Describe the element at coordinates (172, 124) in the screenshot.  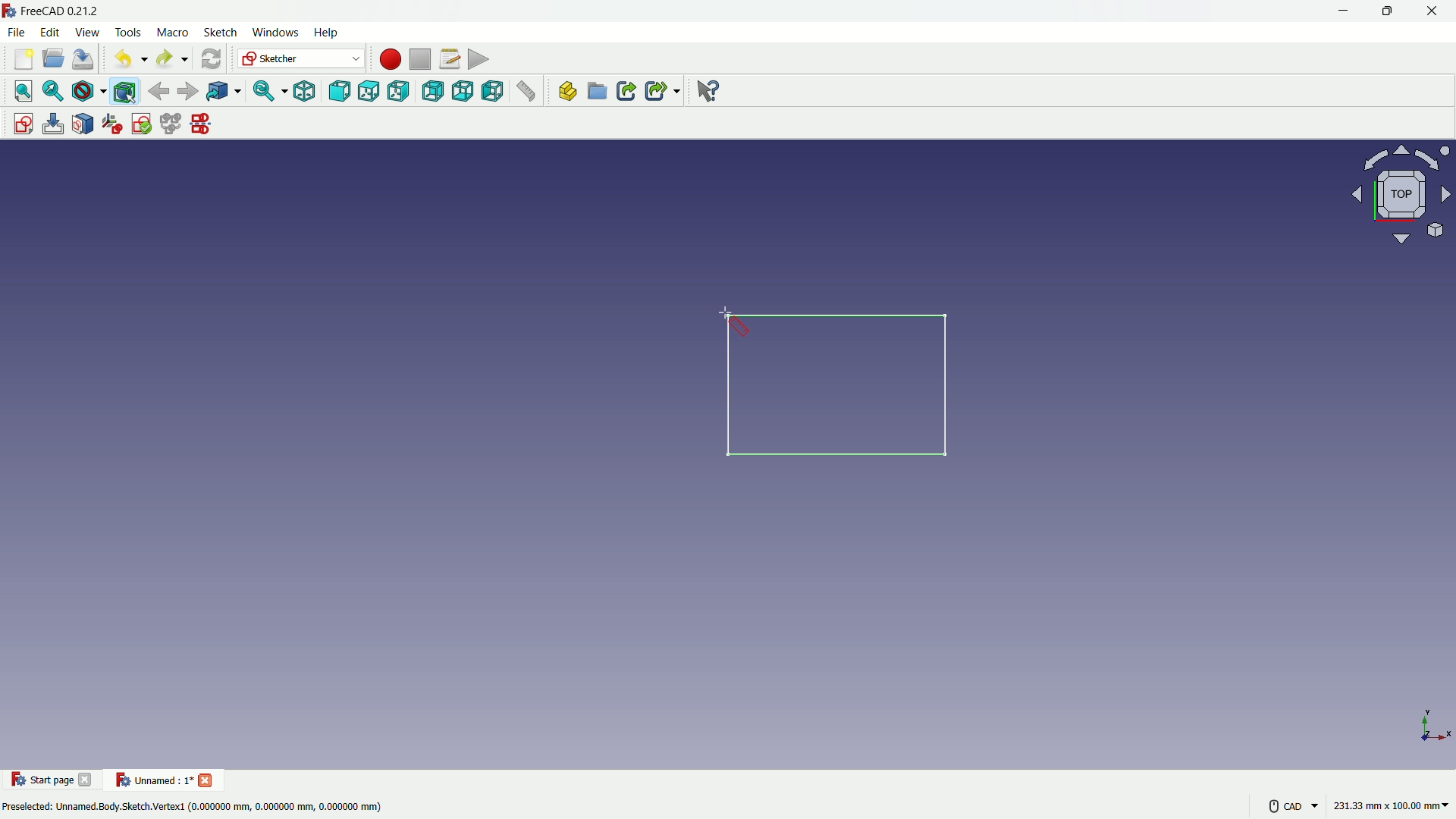
I see `merge sketches` at that location.